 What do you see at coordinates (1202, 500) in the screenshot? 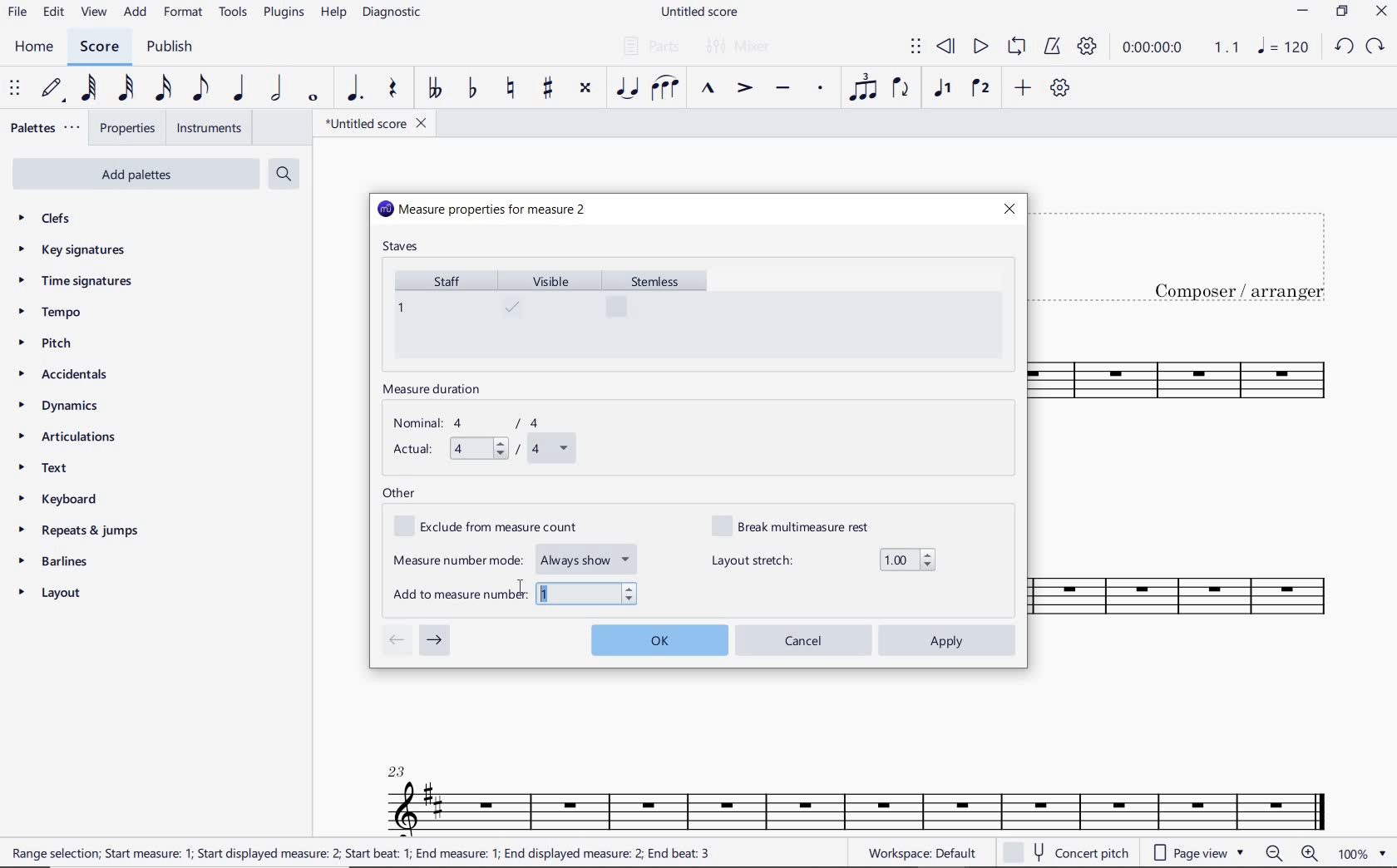
I see `INSTRUMENT: TENOR SAXOPHONE` at bounding box center [1202, 500].